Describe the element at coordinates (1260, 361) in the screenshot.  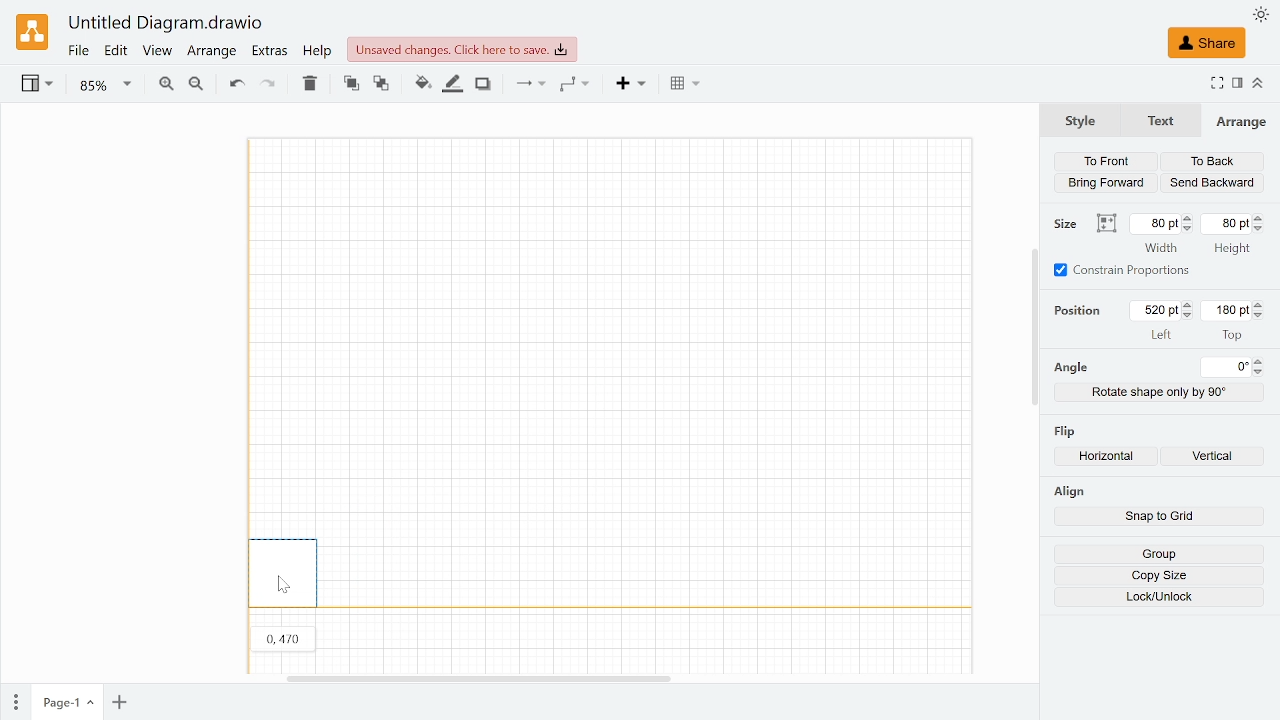
I see `Increase angle` at that location.